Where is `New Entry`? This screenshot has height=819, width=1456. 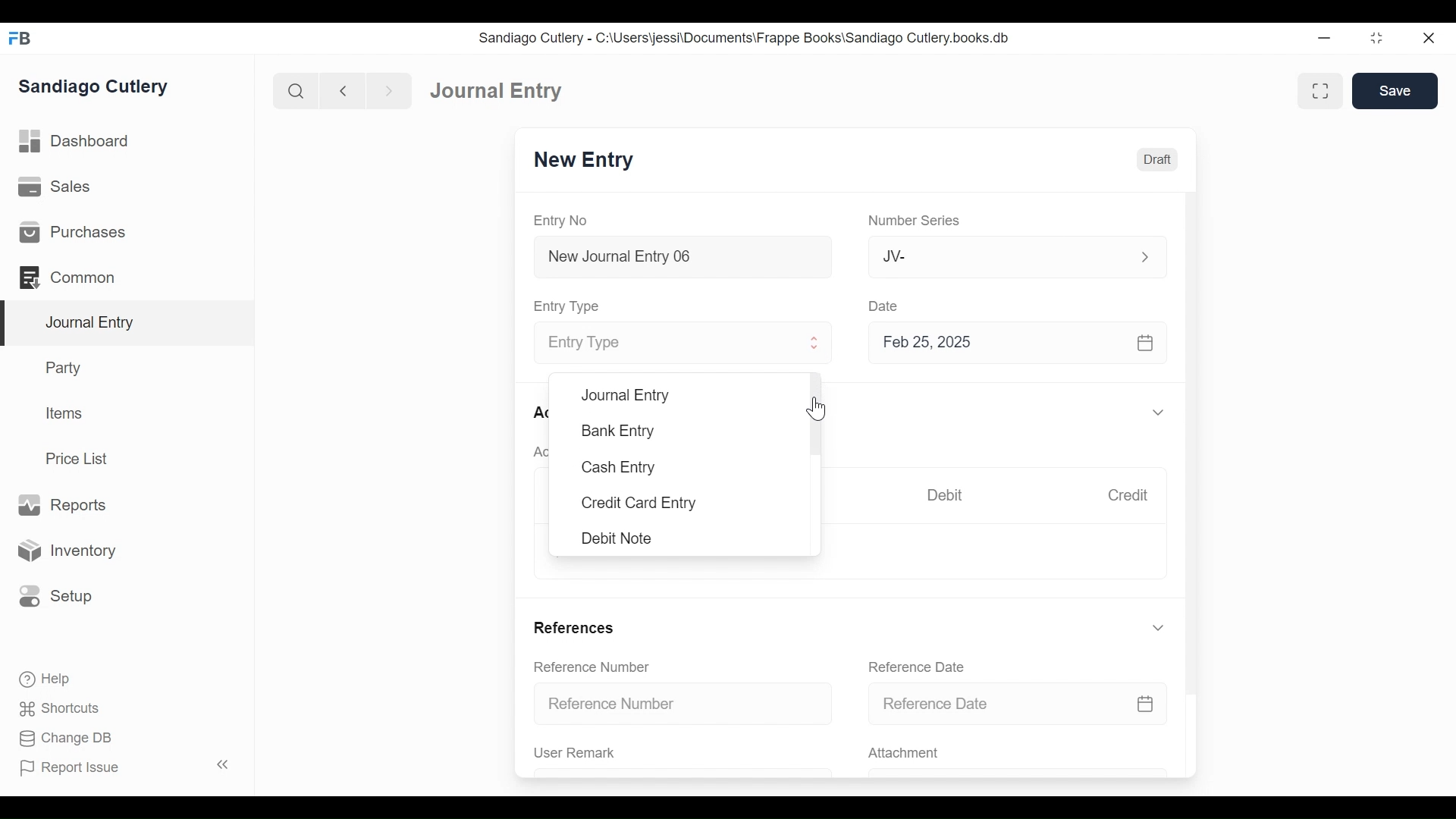 New Entry is located at coordinates (584, 160).